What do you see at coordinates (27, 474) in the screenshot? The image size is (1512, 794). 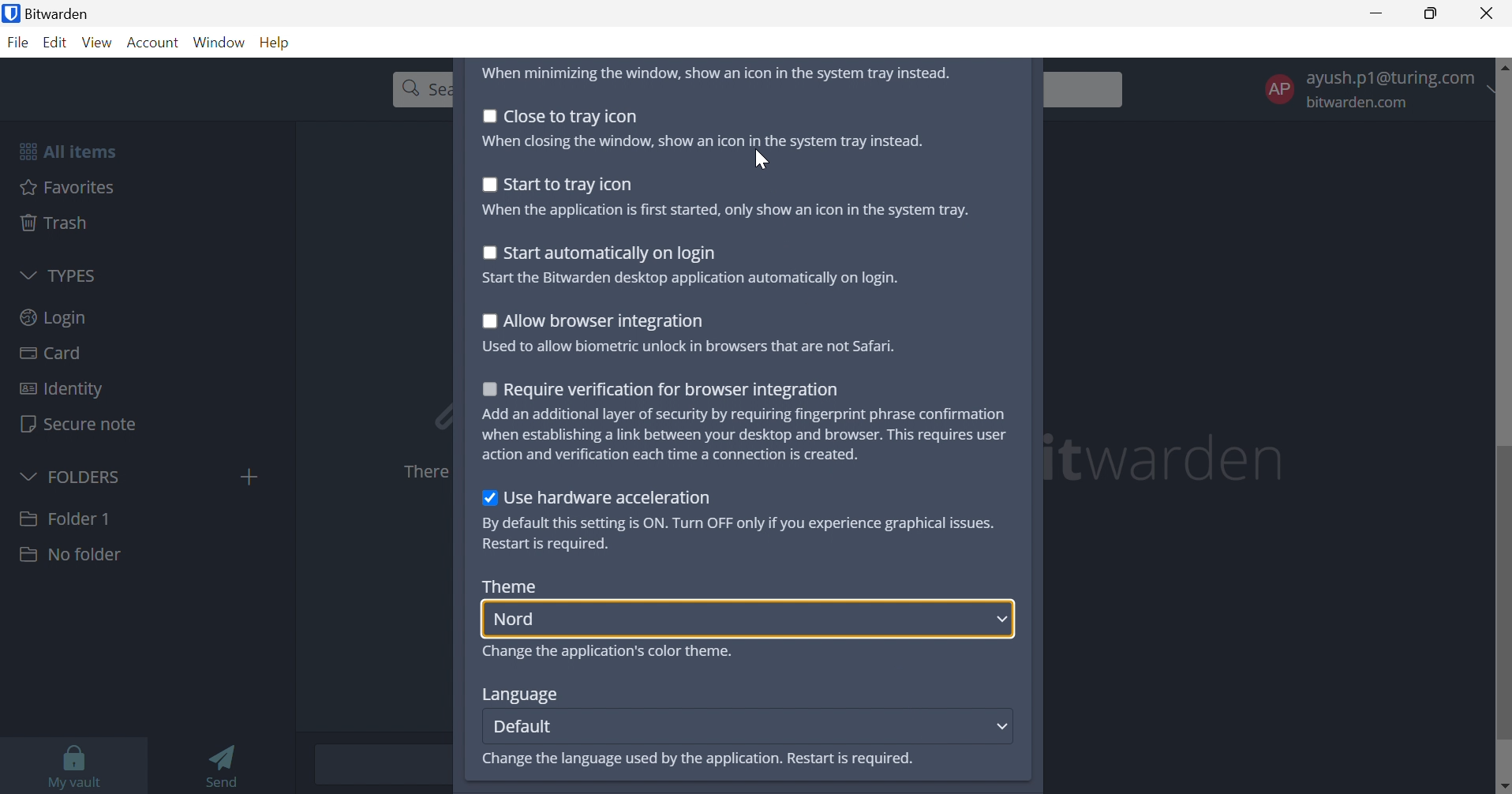 I see `Drop Down` at bounding box center [27, 474].